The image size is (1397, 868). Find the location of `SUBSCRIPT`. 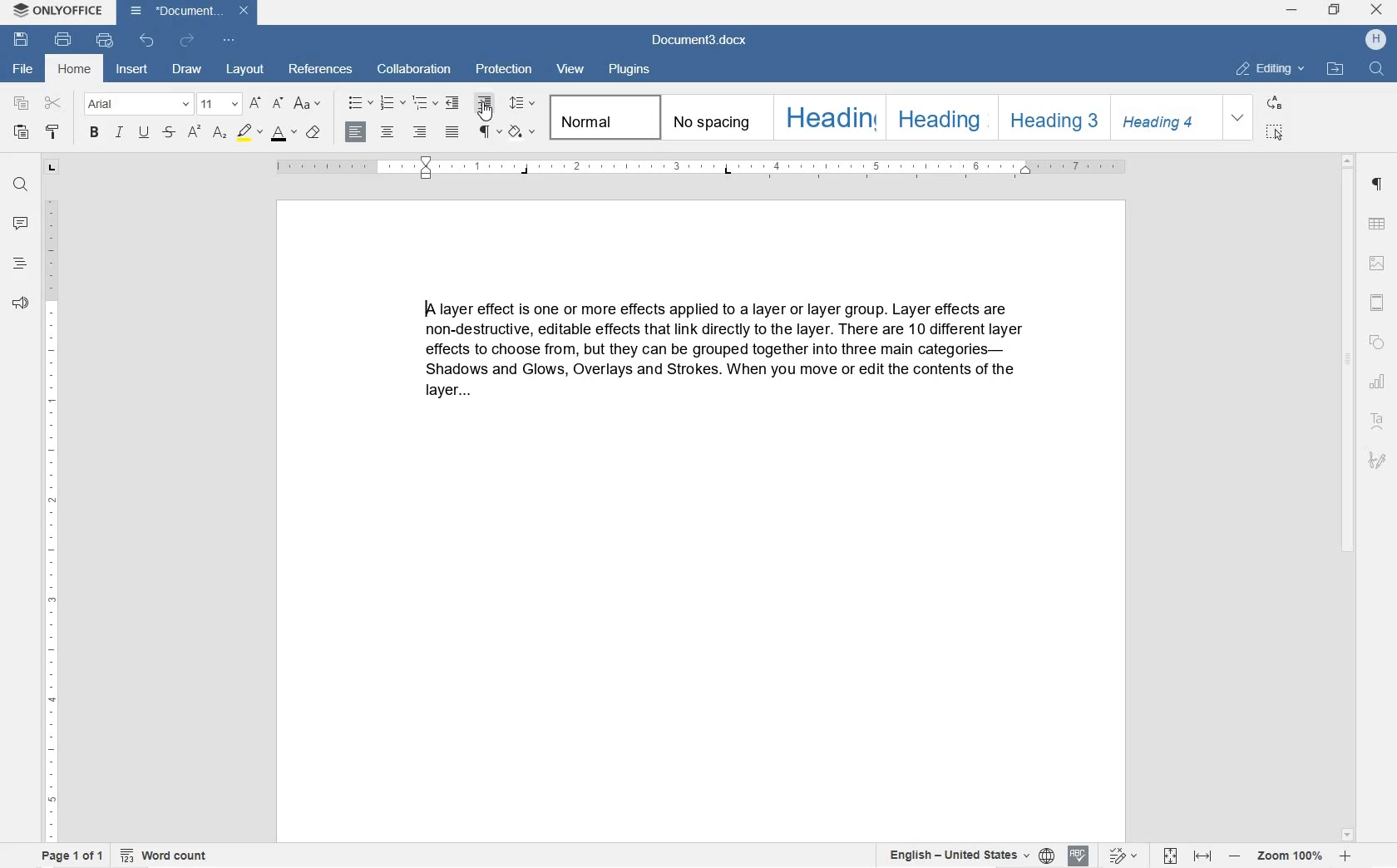

SUBSCRIPT is located at coordinates (194, 135).